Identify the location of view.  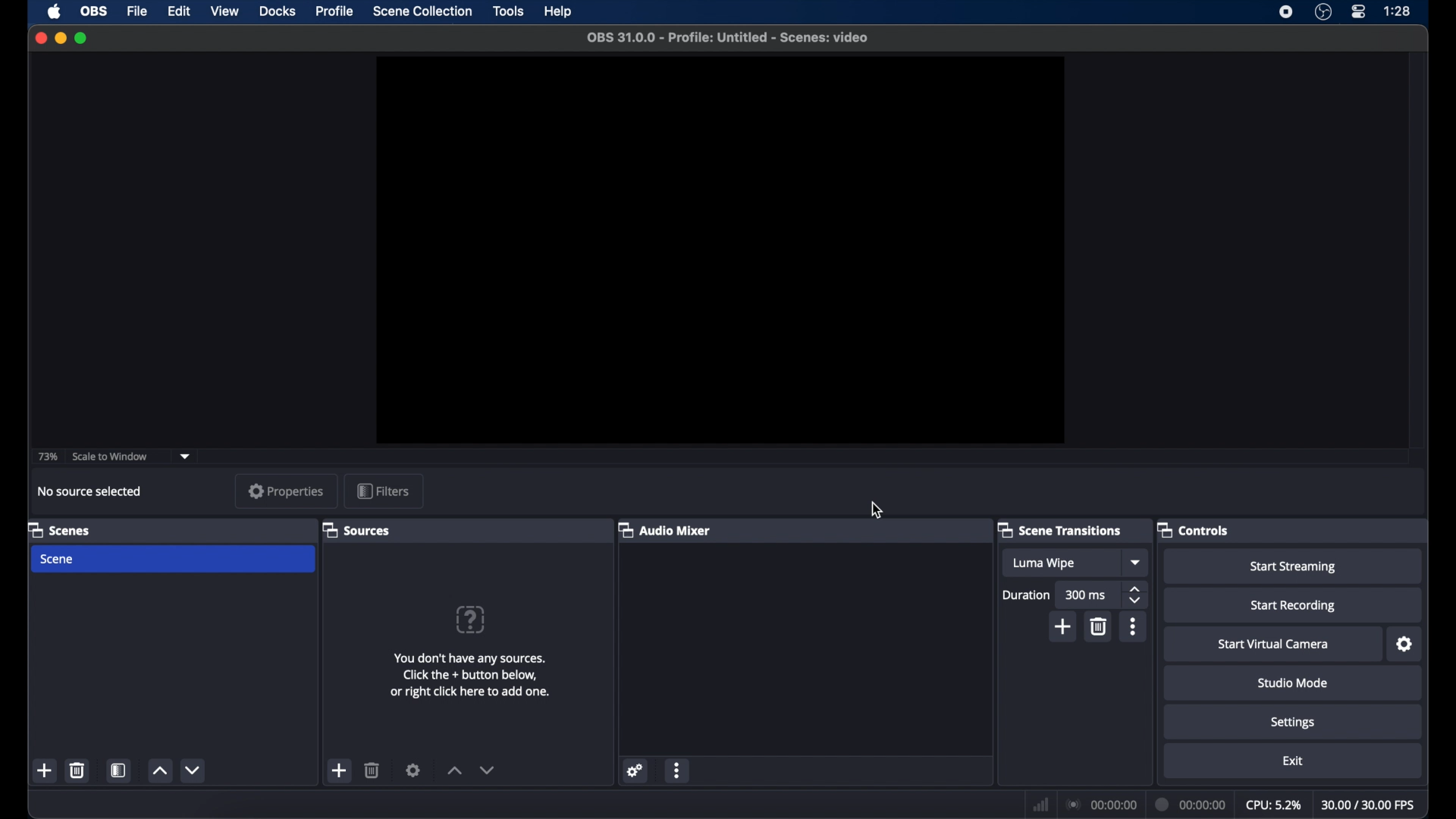
(224, 12).